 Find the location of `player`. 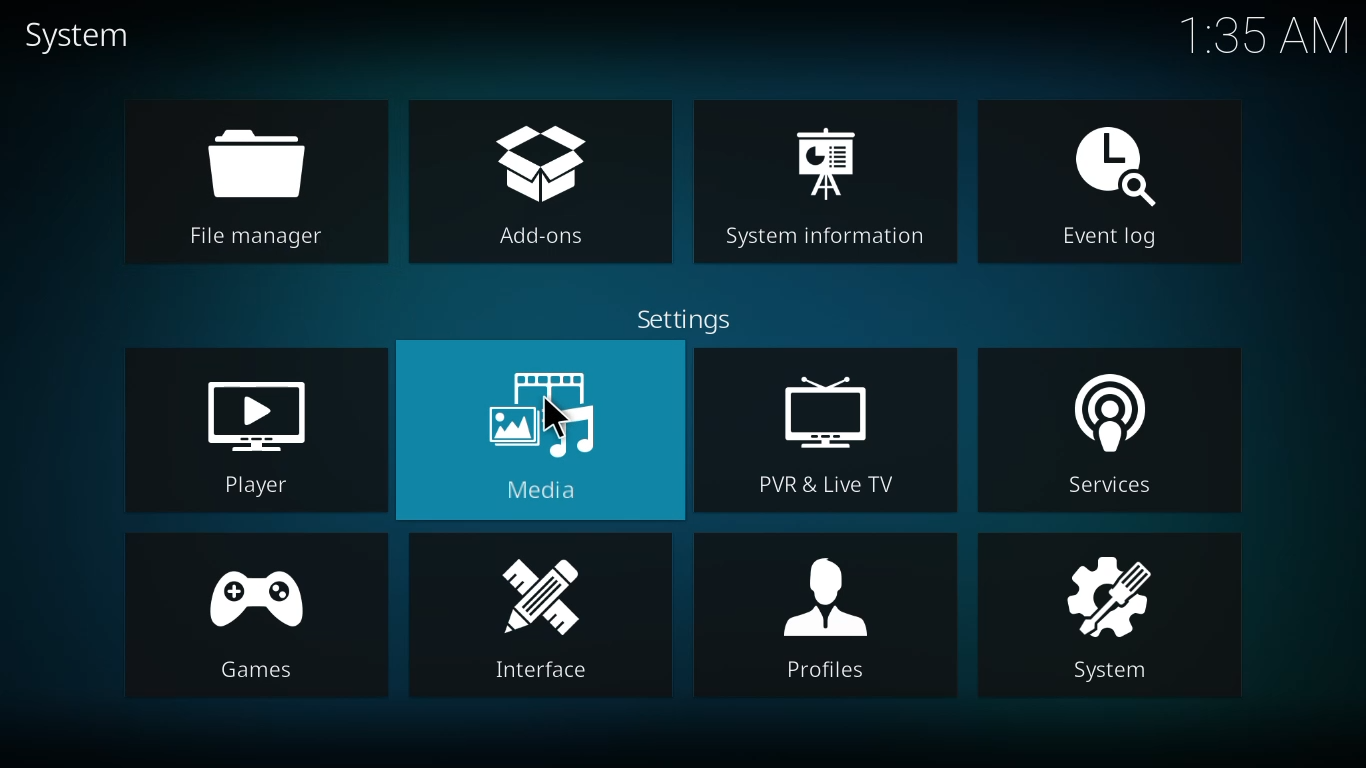

player is located at coordinates (258, 433).